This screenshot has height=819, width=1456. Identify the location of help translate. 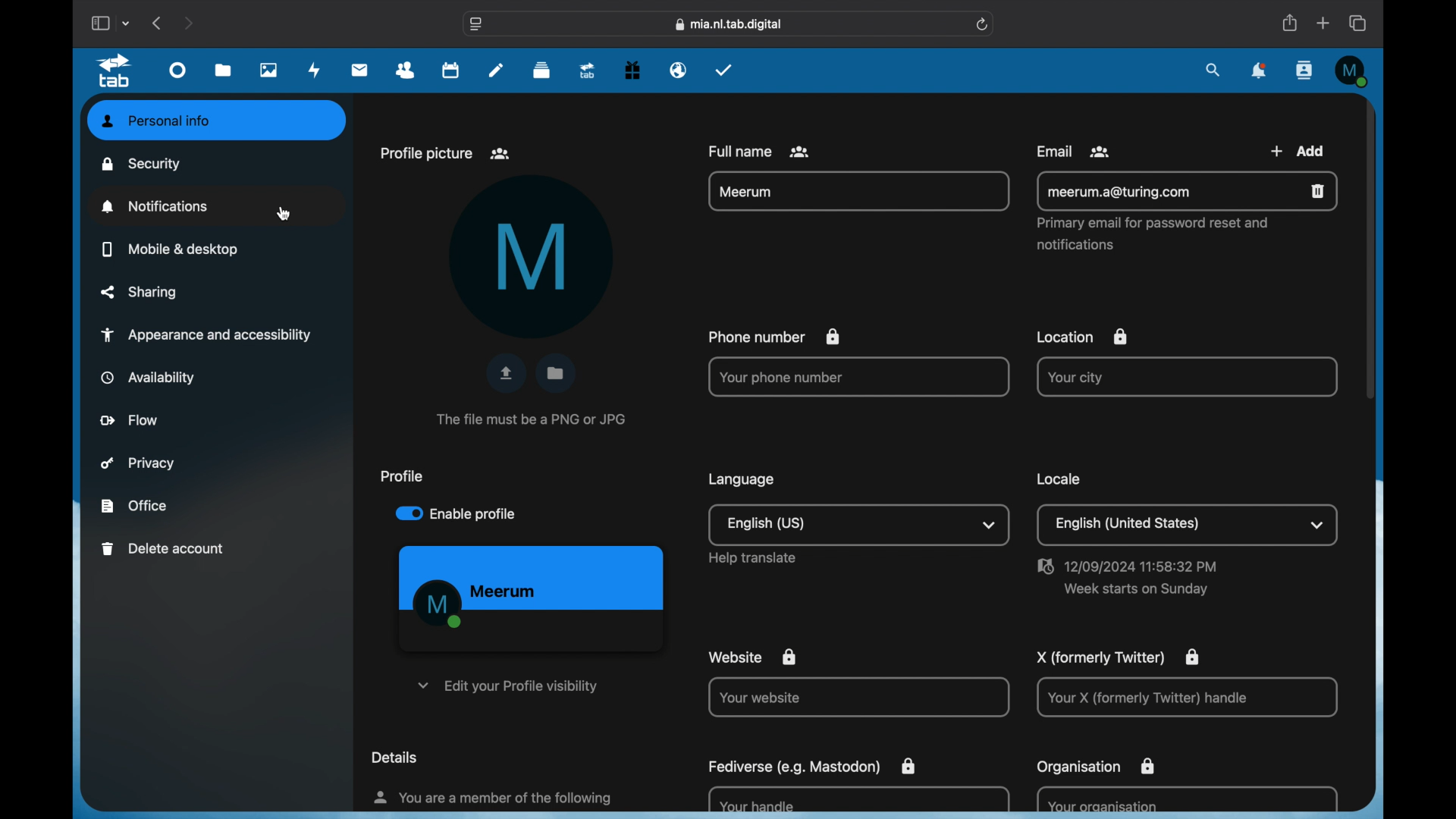
(754, 558).